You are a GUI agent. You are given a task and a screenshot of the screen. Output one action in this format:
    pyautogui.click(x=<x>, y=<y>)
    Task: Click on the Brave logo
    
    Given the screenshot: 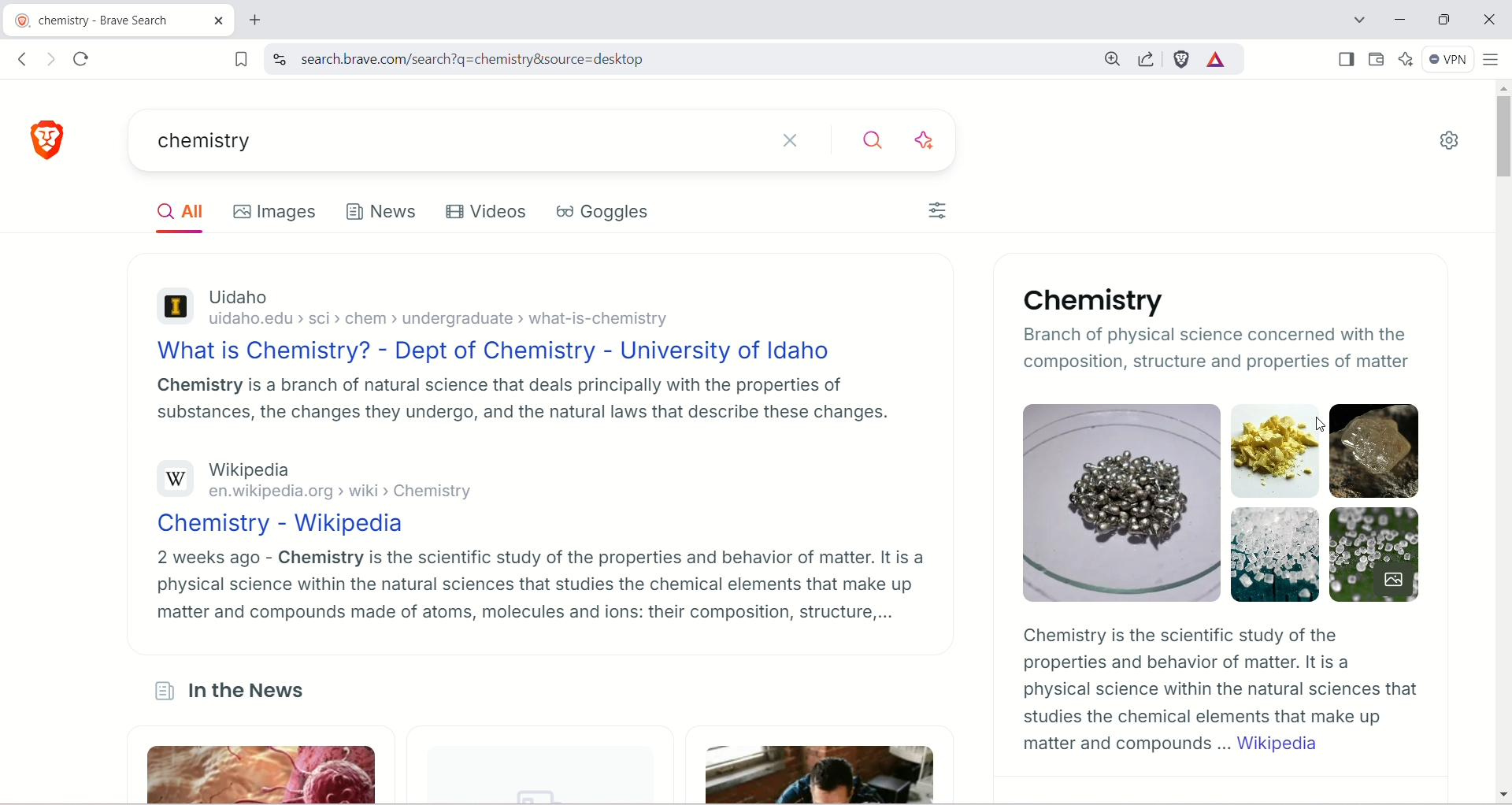 What is the action you would take?
    pyautogui.click(x=51, y=138)
    